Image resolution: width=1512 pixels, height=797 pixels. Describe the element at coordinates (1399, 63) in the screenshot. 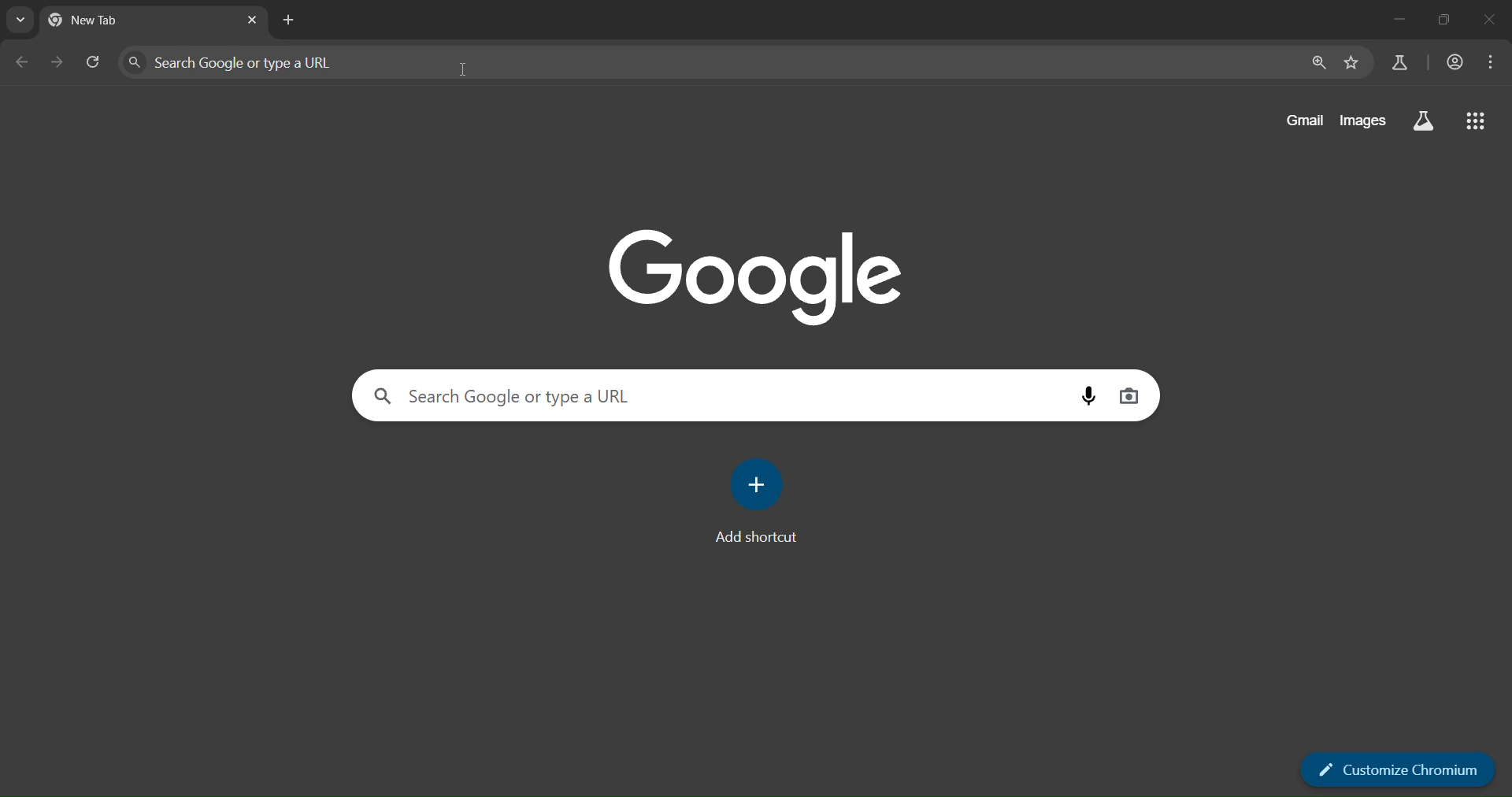

I see `search labs` at that location.